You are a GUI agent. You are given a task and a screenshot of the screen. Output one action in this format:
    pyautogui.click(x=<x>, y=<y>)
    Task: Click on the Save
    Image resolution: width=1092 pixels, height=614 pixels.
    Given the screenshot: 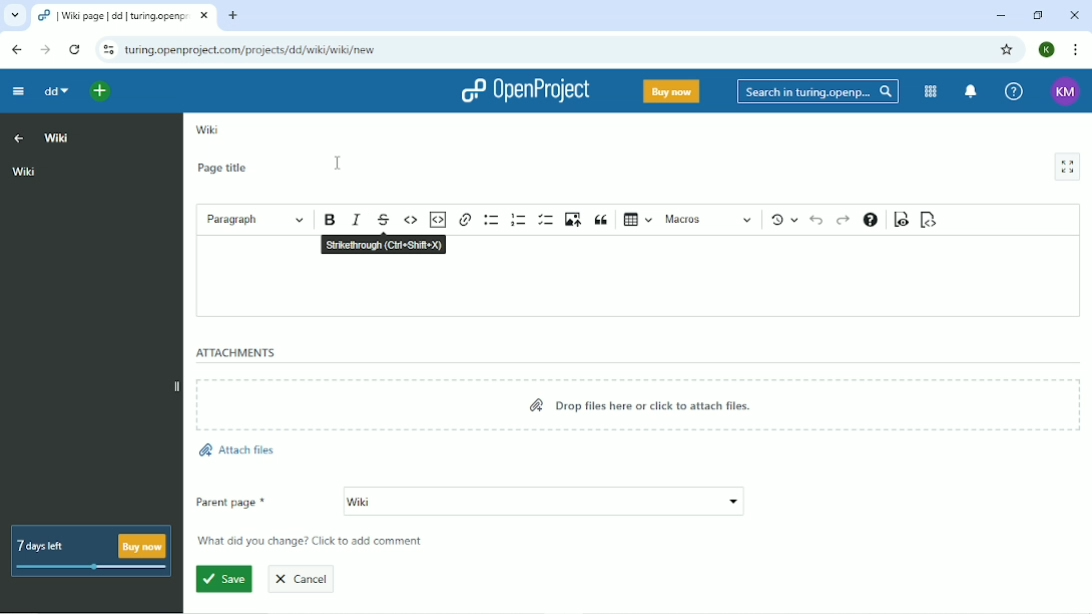 What is the action you would take?
    pyautogui.click(x=221, y=580)
    